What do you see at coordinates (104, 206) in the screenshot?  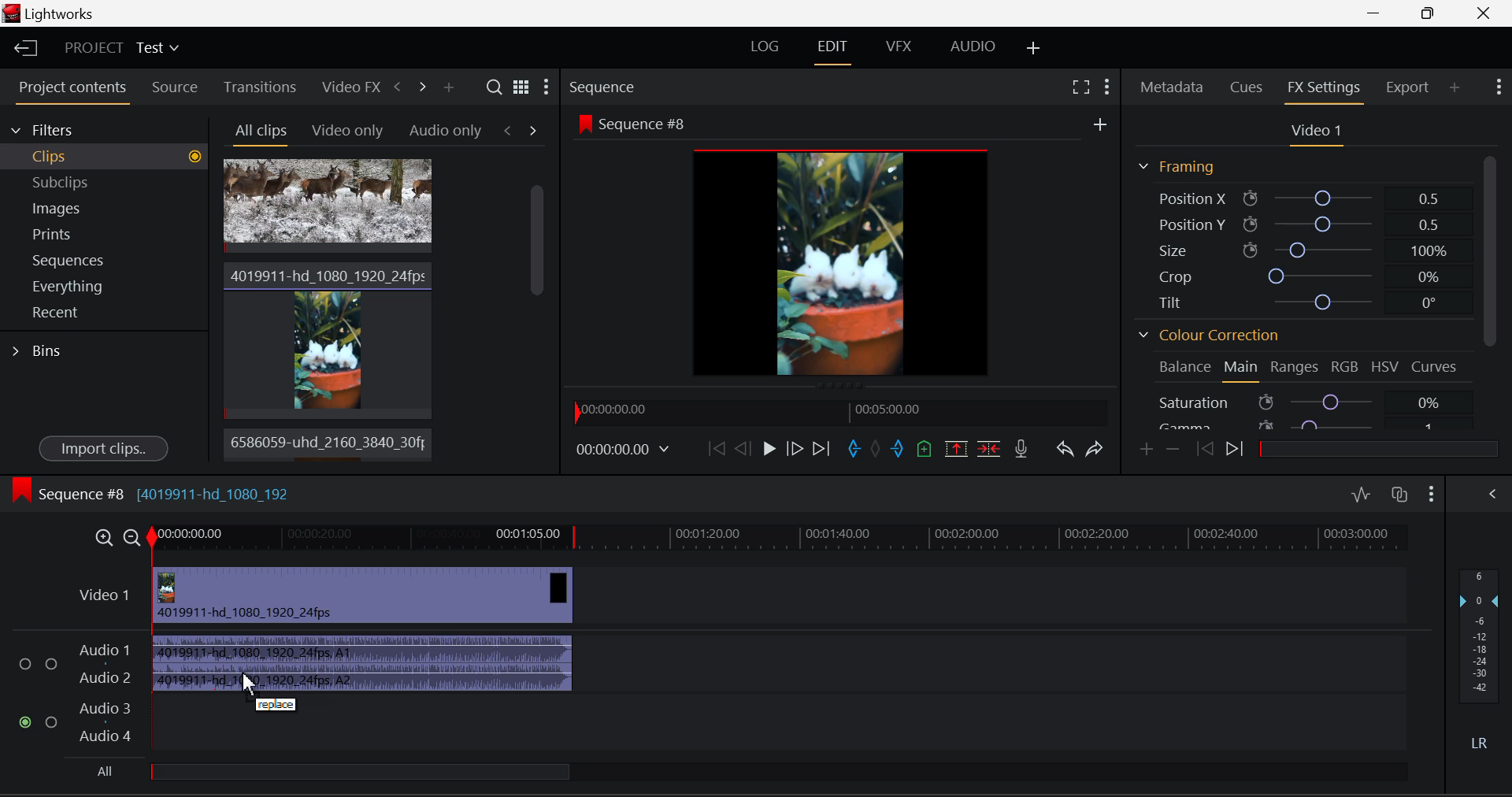 I see `Images` at bounding box center [104, 206].